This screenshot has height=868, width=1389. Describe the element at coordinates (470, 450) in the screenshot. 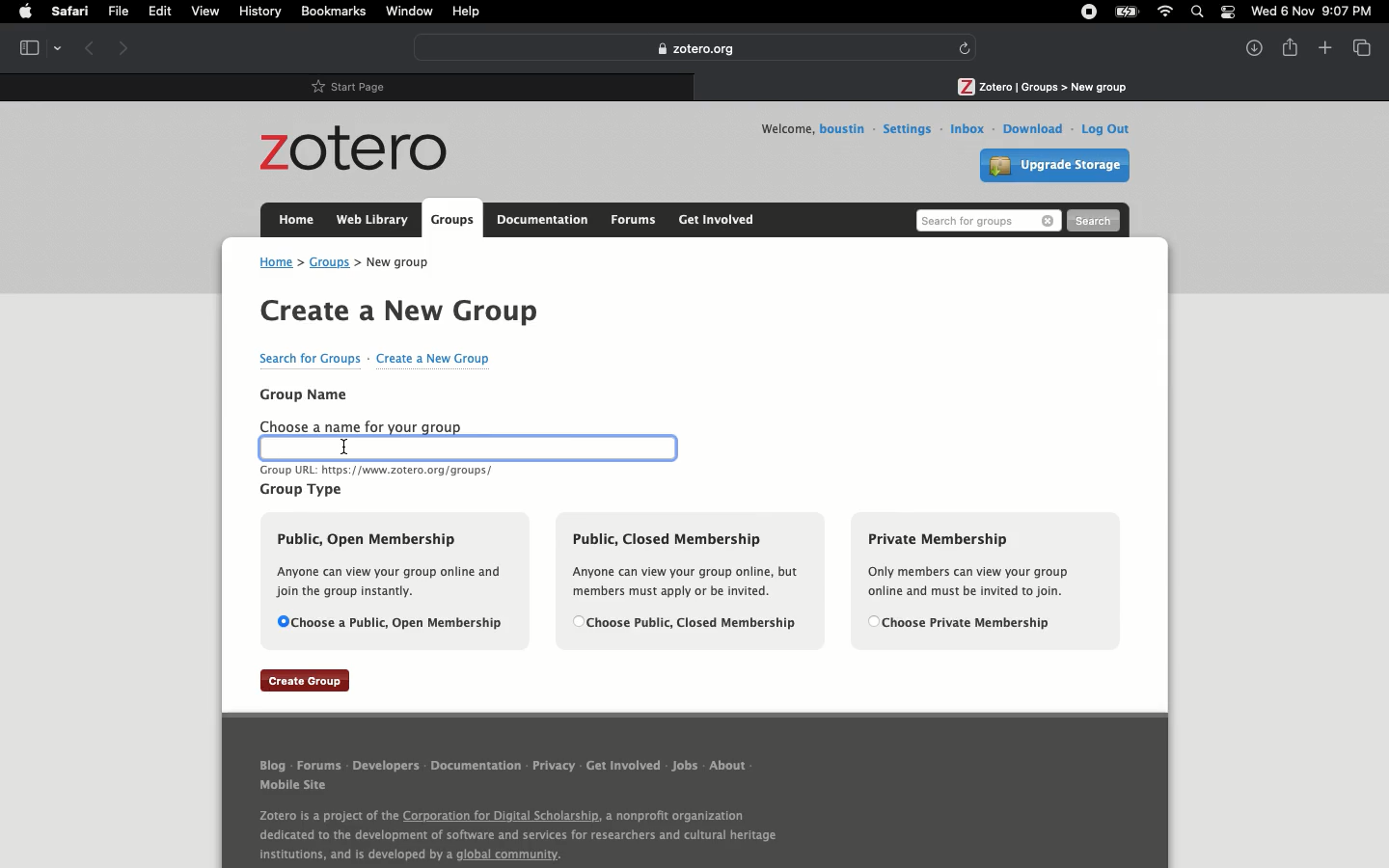

I see `Clicked text box` at that location.